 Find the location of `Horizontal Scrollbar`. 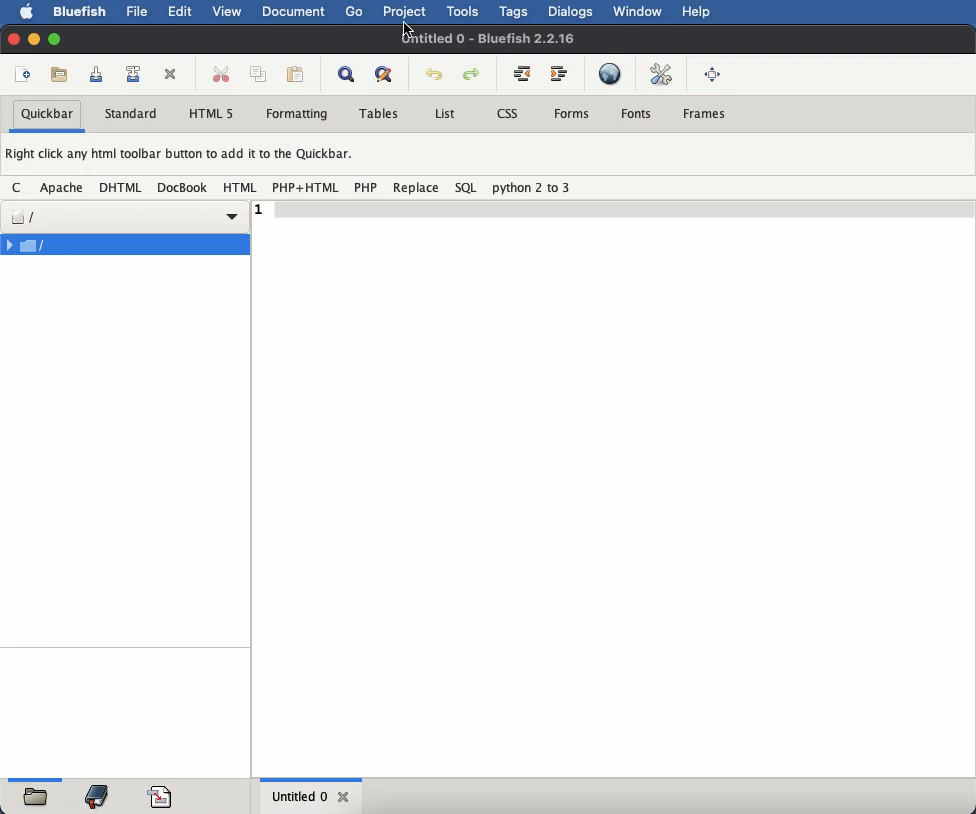

Horizontal Scrollbar is located at coordinates (315, 777).